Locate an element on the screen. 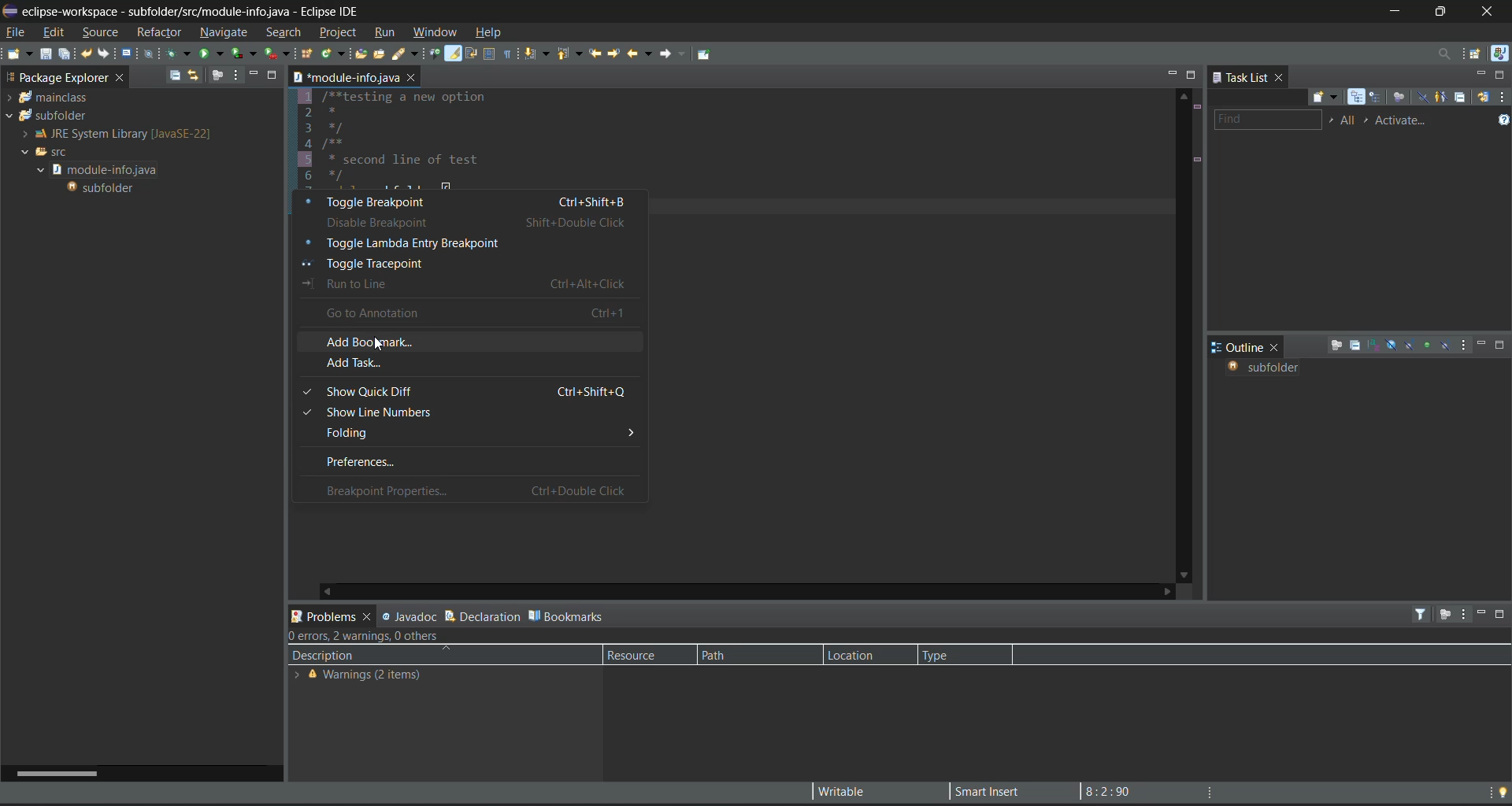 The width and height of the screenshot is (1512, 806). save all is located at coordinates (65, 54).